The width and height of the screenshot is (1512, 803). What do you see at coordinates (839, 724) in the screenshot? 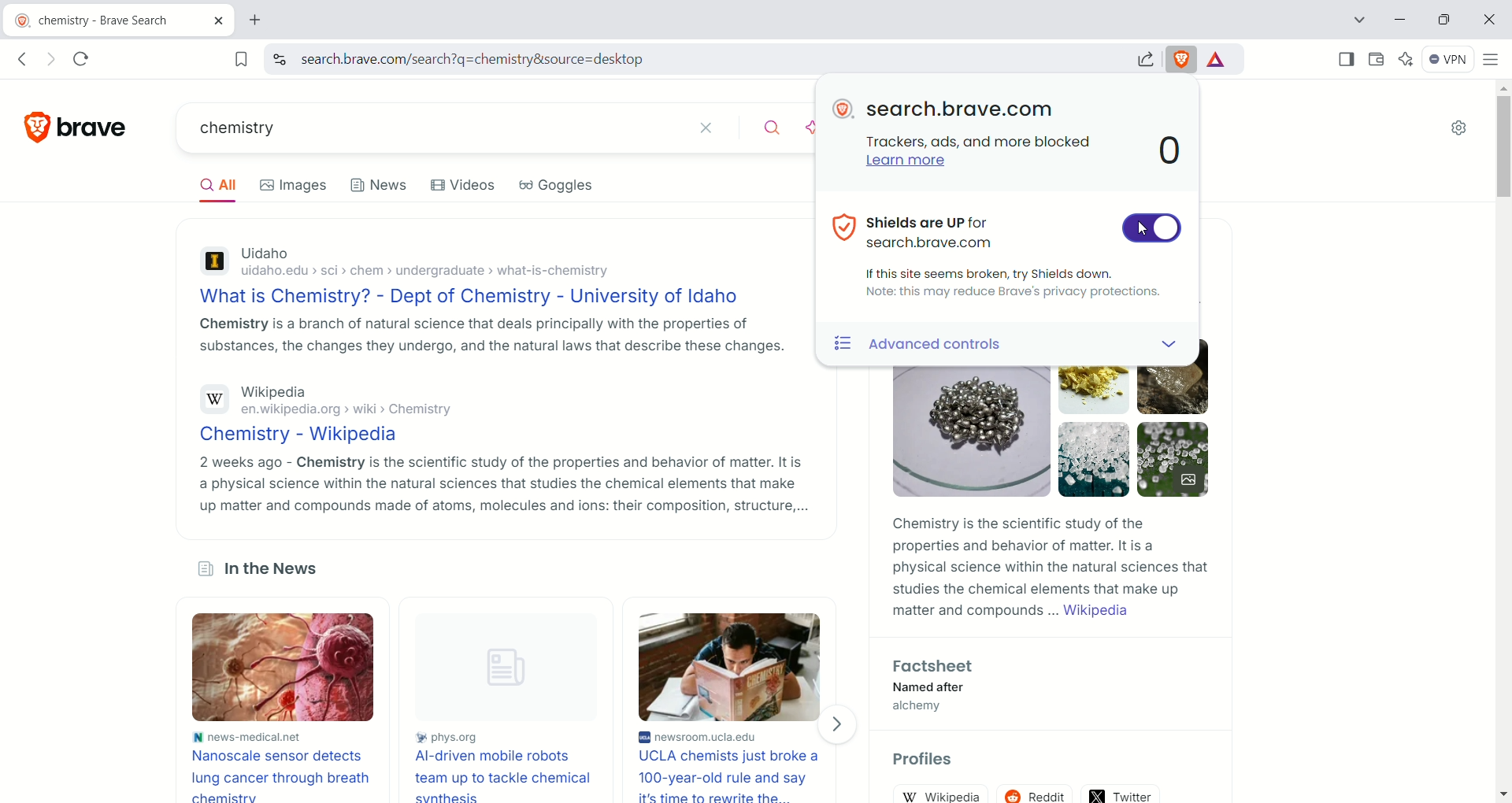
I see `next` at bounding box center [839, 724].